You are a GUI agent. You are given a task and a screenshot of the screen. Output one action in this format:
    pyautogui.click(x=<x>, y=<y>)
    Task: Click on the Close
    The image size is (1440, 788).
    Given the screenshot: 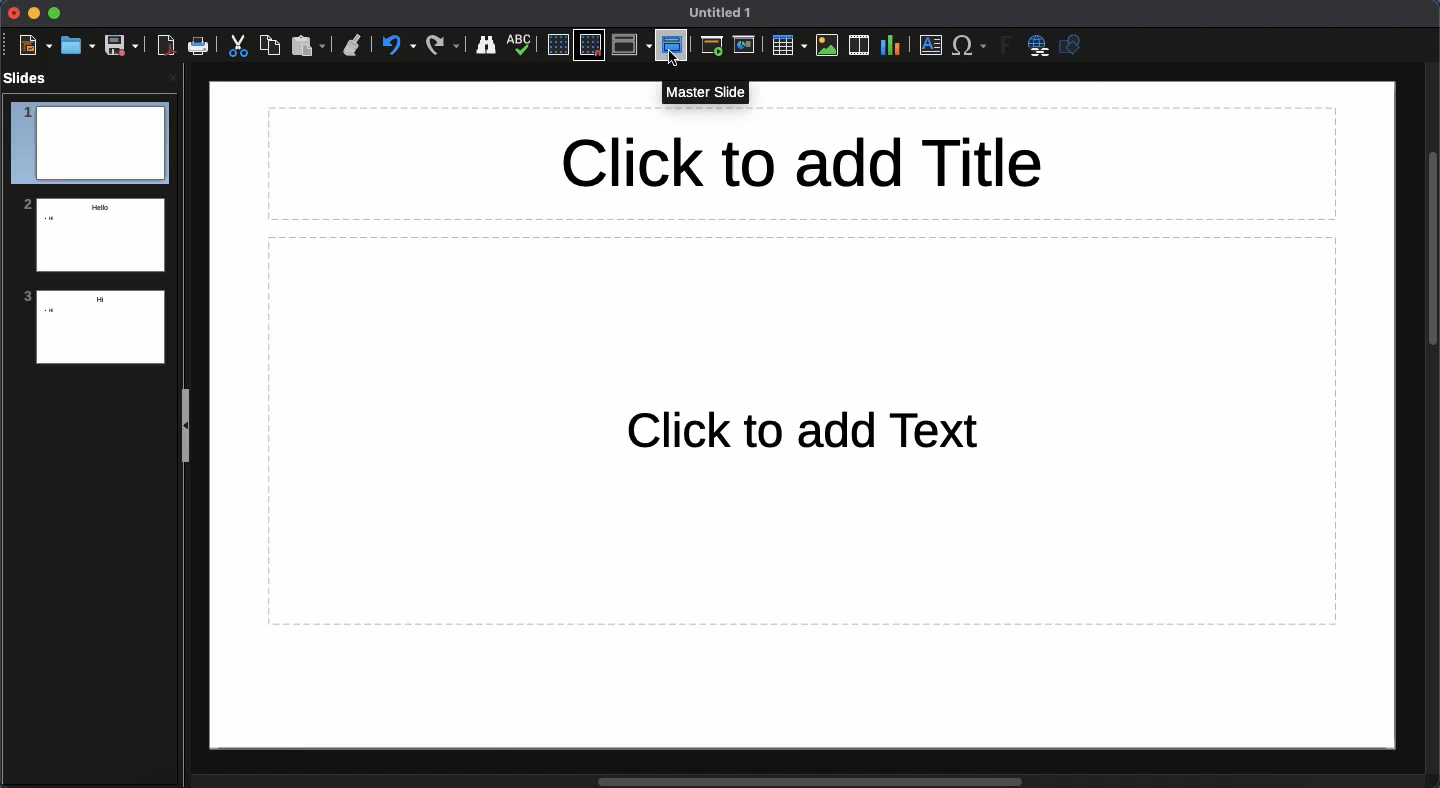 What is the action you would take?
    pyautogui.click(x=11, y=15)
    